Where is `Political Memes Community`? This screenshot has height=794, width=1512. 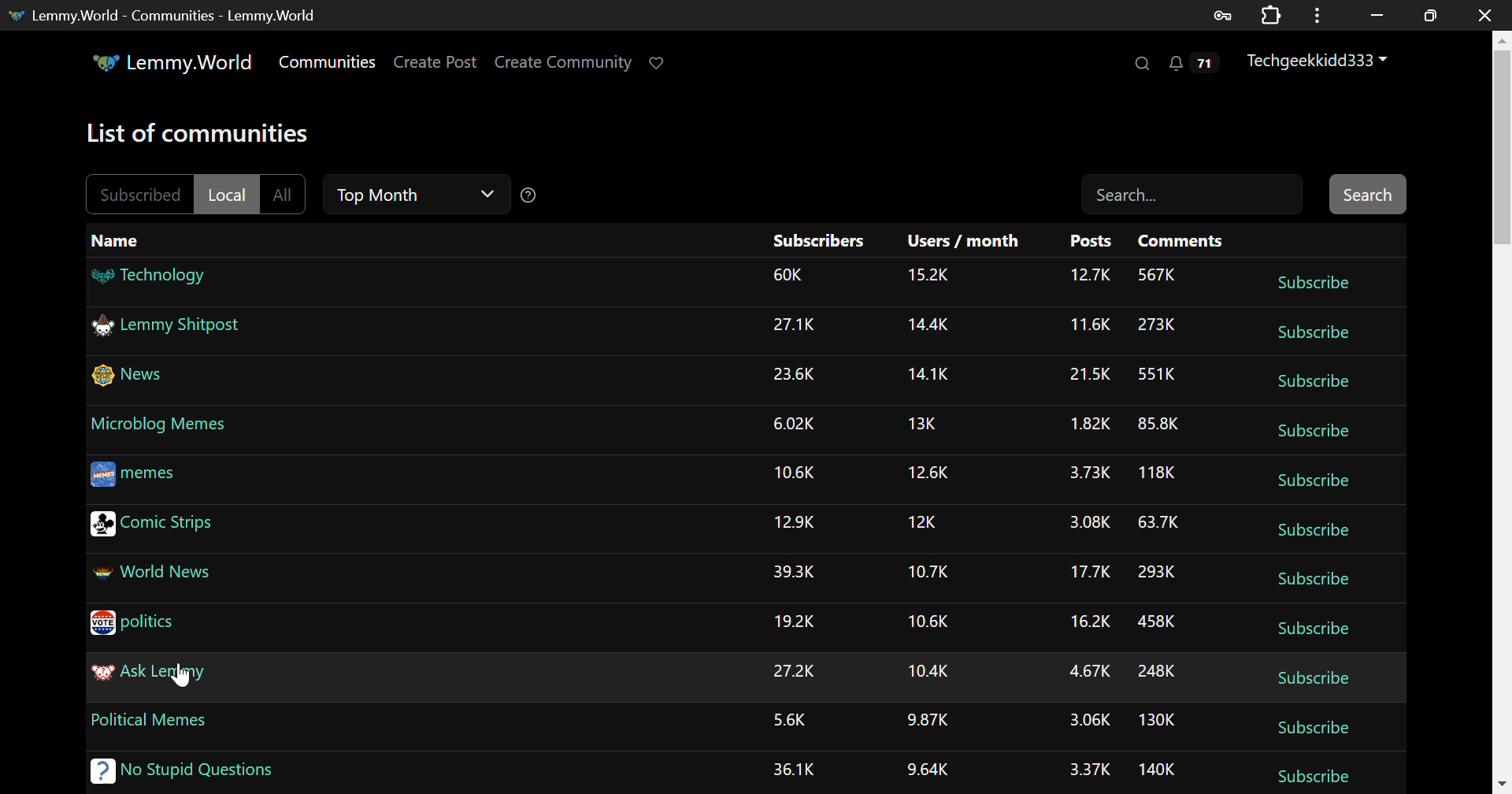 Political Memes Community is located at coordinates (151, 722).